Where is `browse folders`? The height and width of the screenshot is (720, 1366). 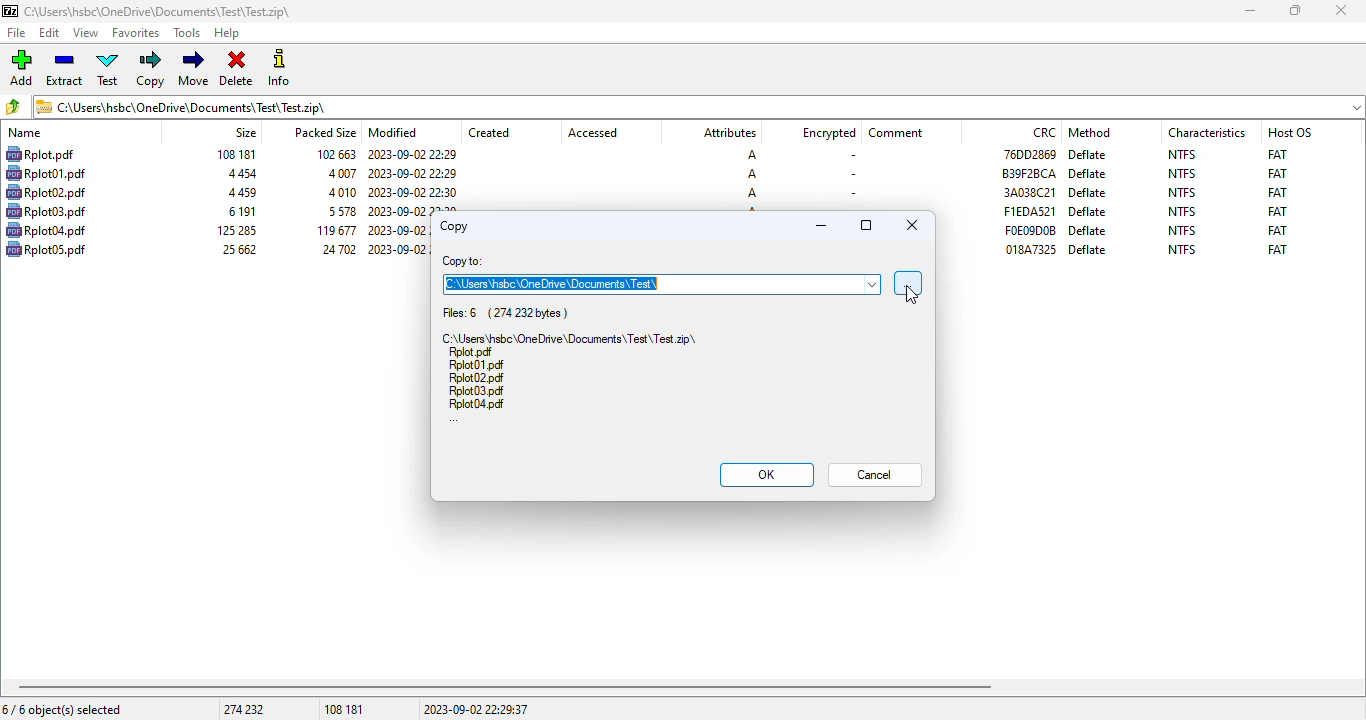 browse folders is located at coordinates (14, 107).